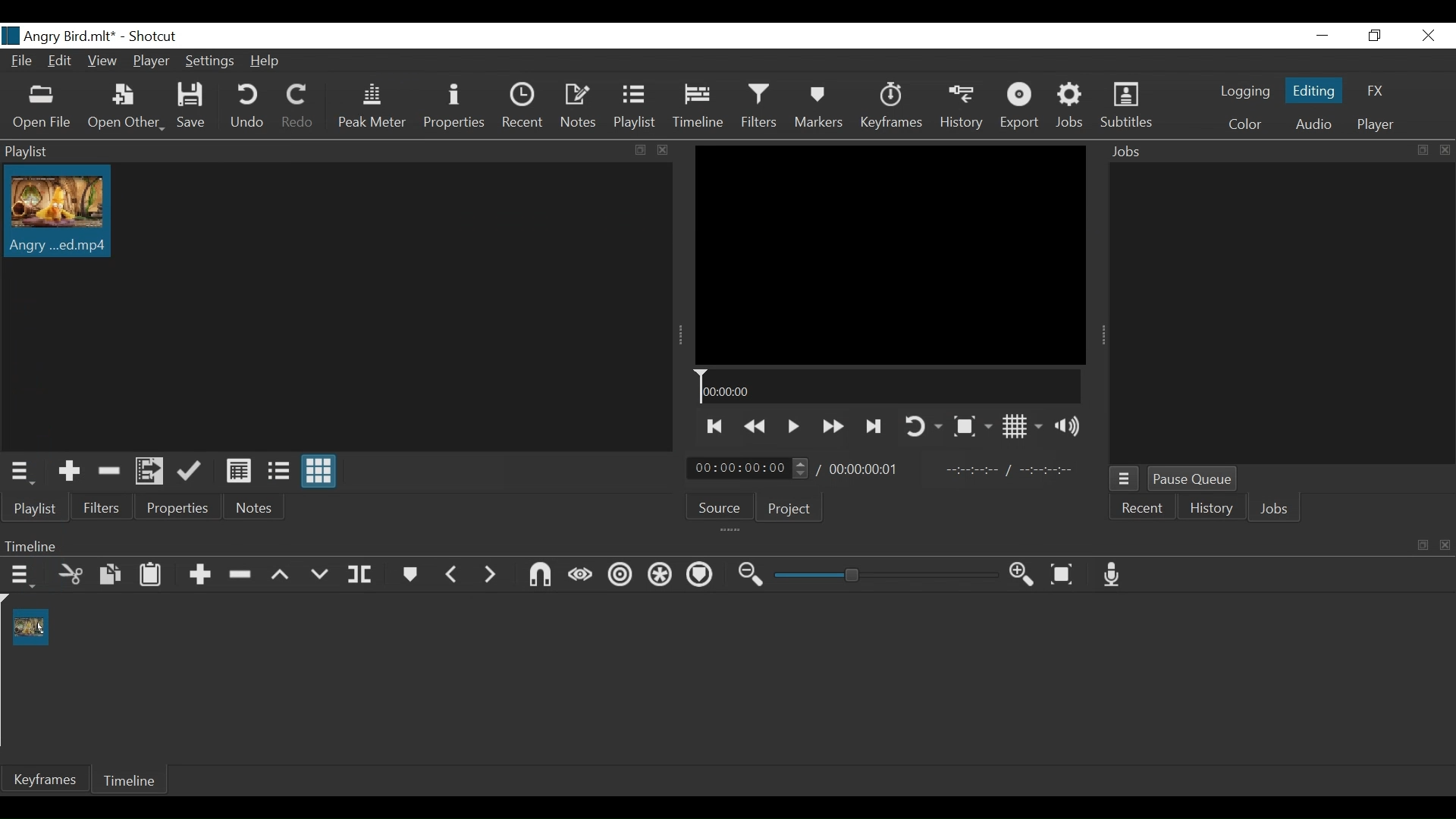  What do you see at coordinates (152, 574) in the screenshot?
I see `Paste` at bounding box center [152, 574].